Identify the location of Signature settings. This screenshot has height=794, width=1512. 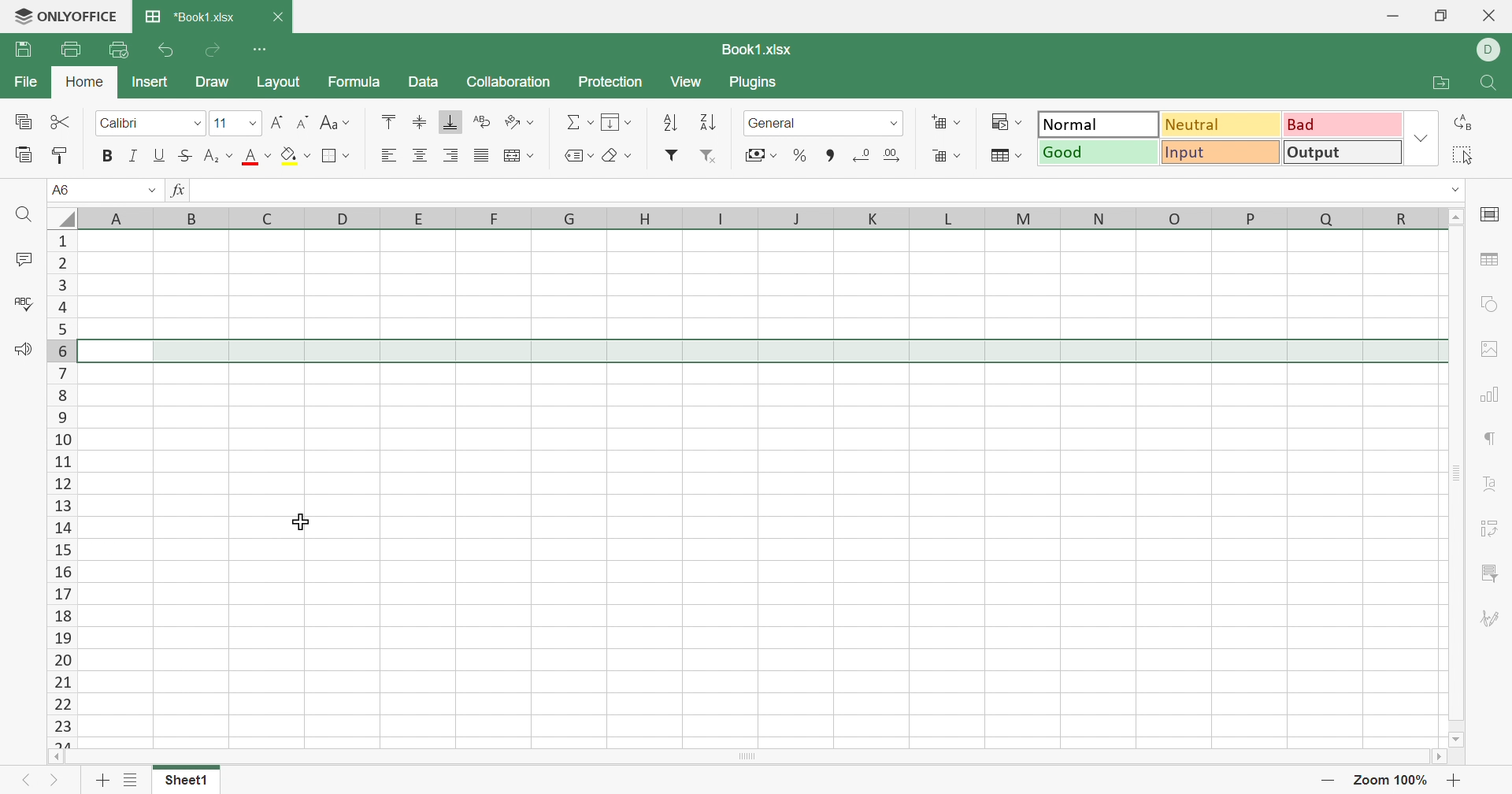
(1492, 619).